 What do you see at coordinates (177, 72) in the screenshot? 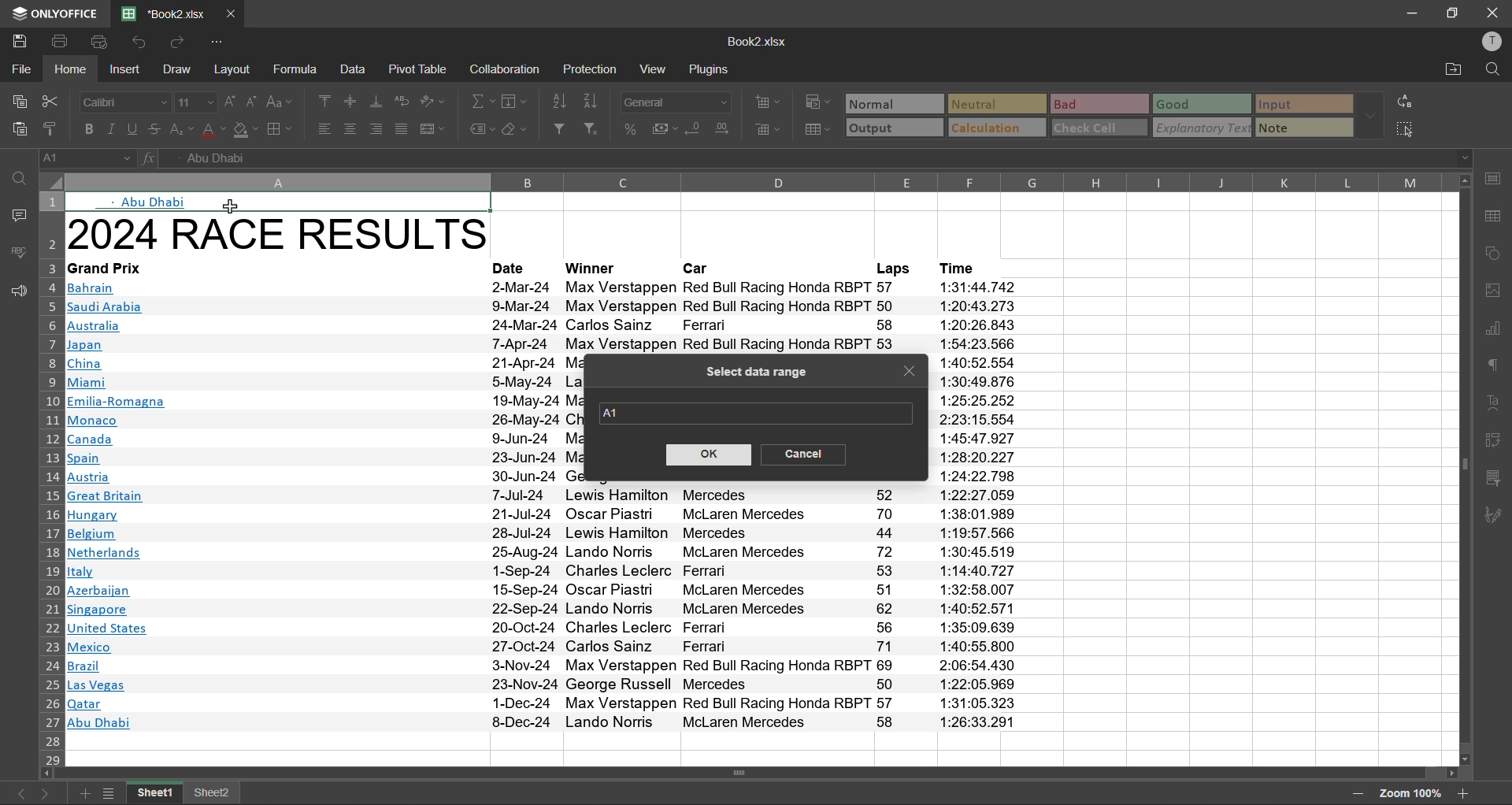
I see `draw` at bounding box center [177, 72].